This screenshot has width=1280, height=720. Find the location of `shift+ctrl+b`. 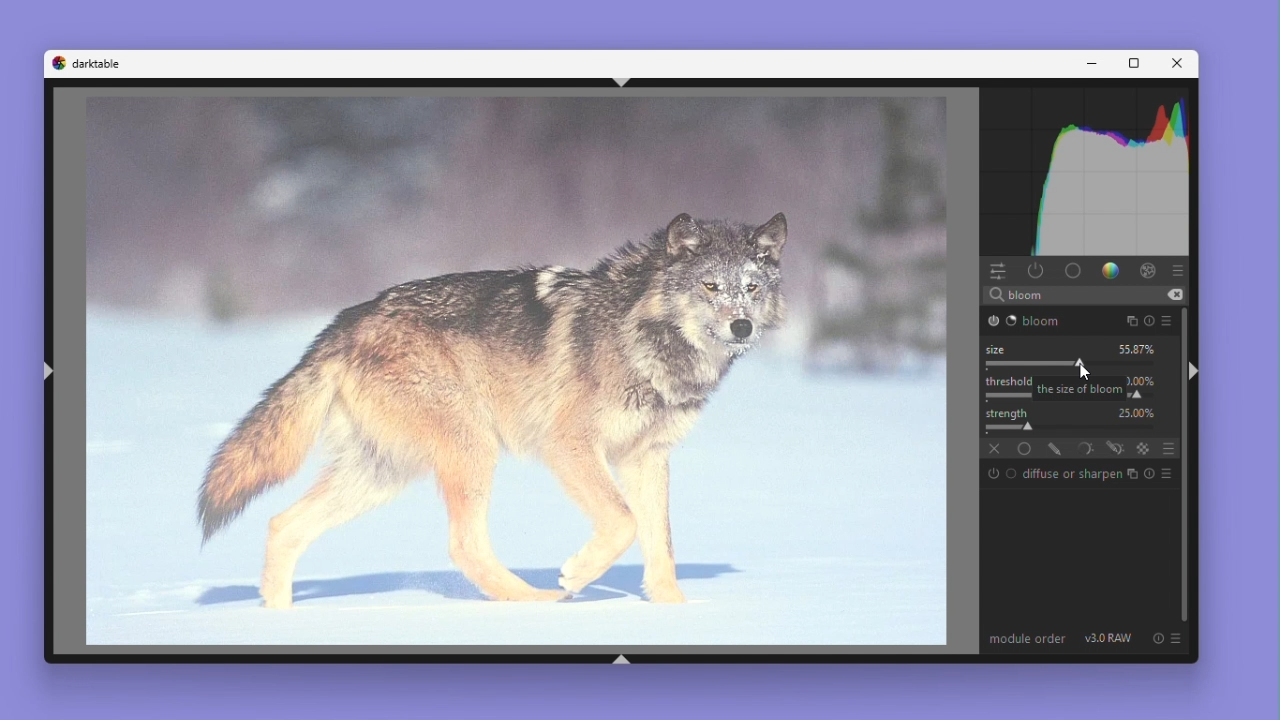

shift+ctrl+b is located at coordinates (621, 660).